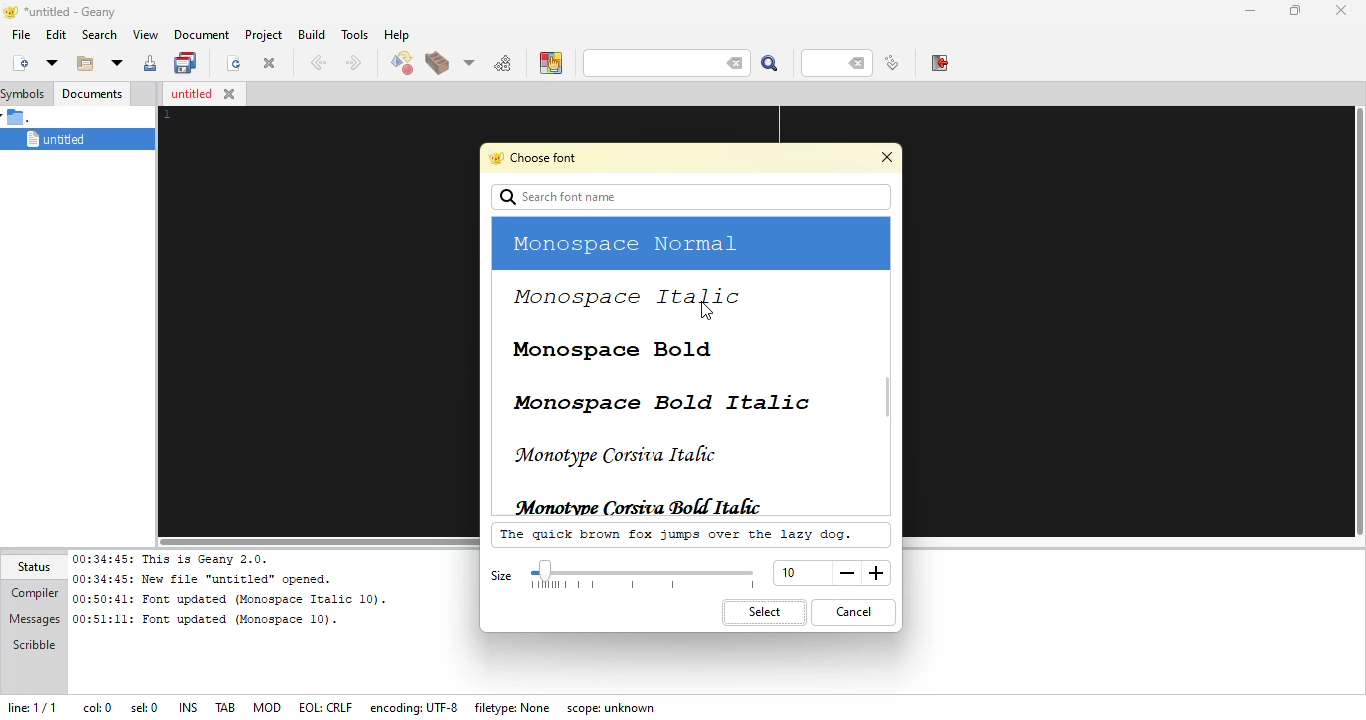  What do you see at coordinates (226, 707) in the screenshot?
I see `tab` at bounding box center [226, 707].